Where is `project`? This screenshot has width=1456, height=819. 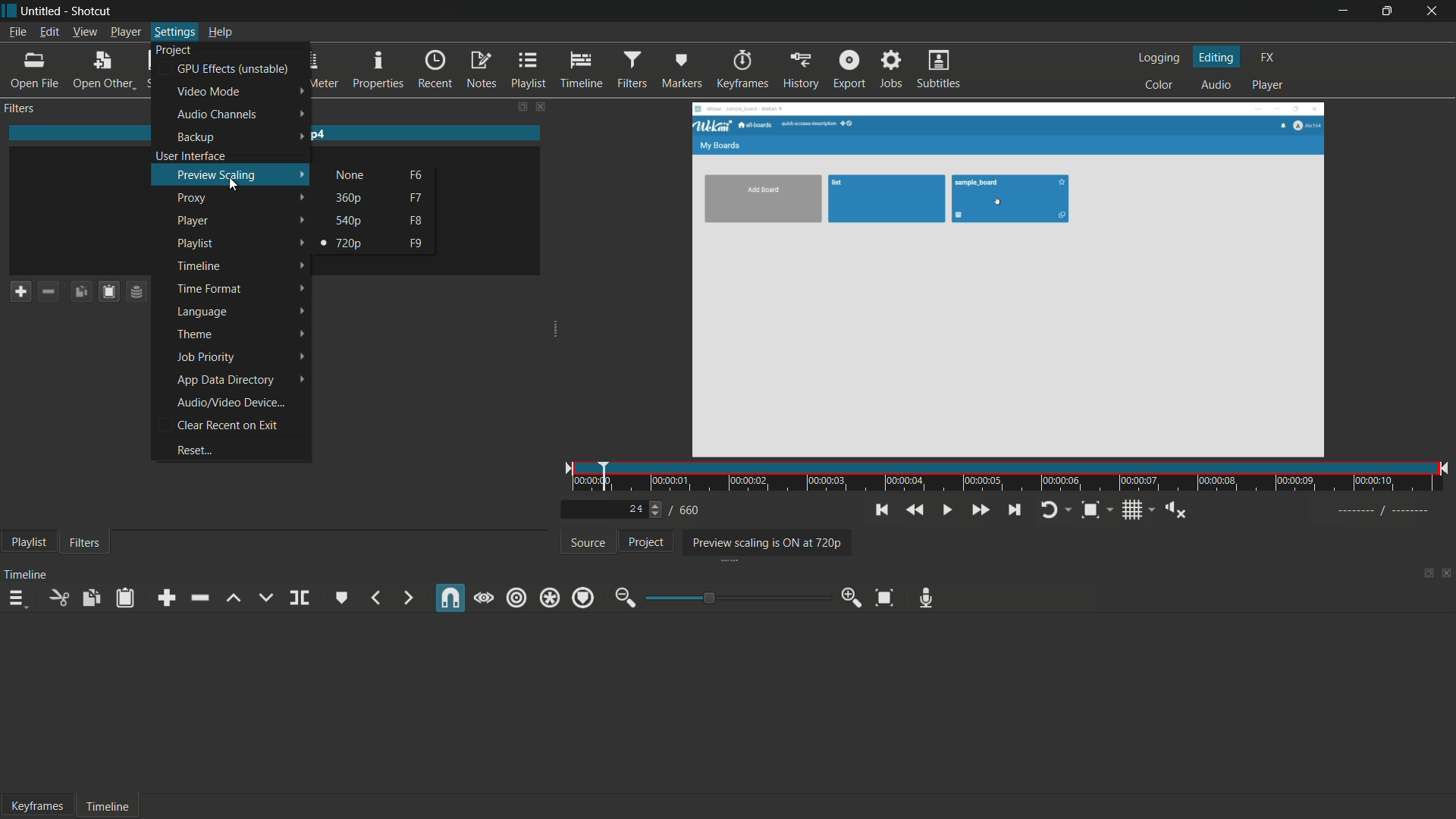 project is located at coordinates (644, 541).